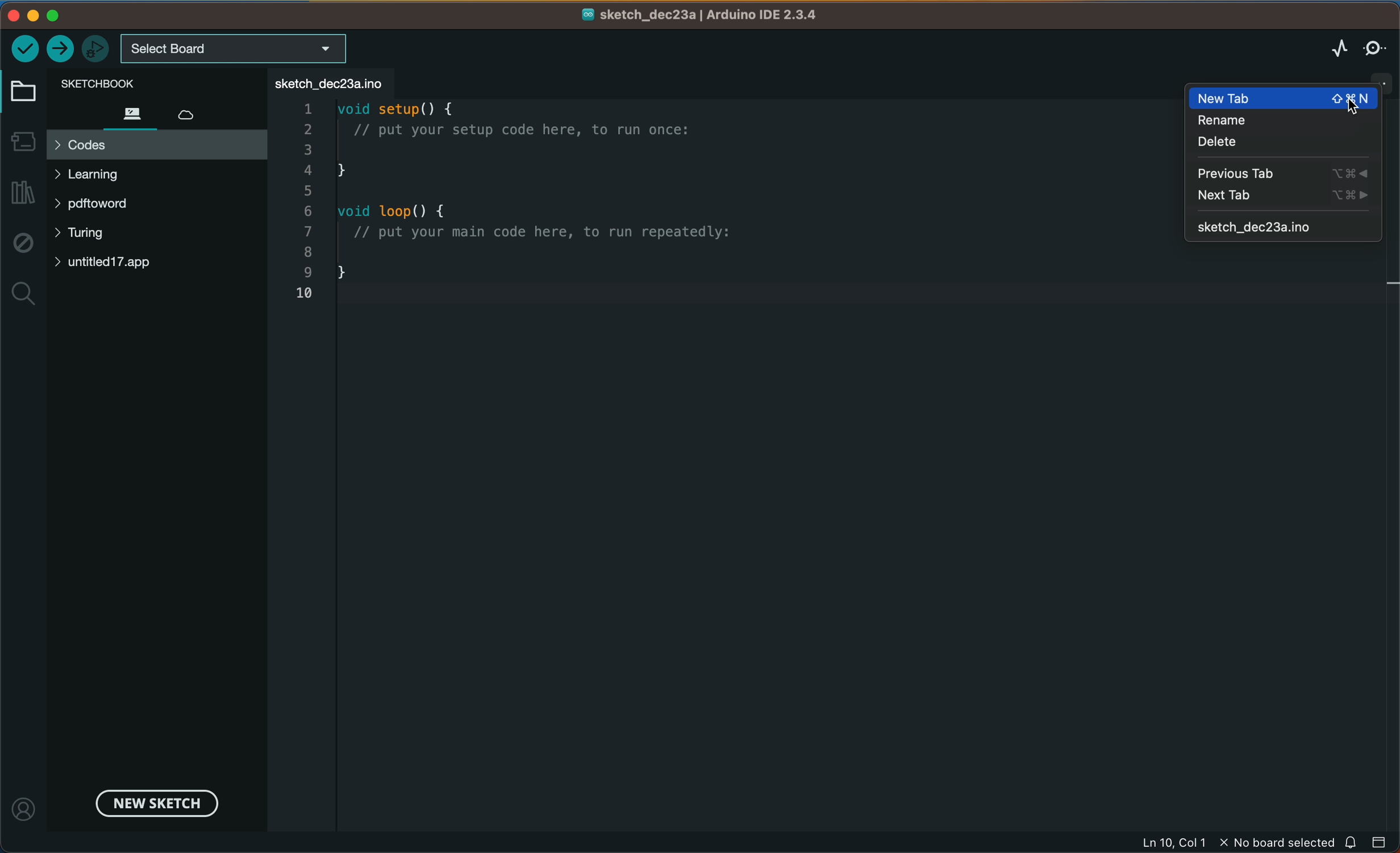  I want to click on new tab, so click(1286, 98).